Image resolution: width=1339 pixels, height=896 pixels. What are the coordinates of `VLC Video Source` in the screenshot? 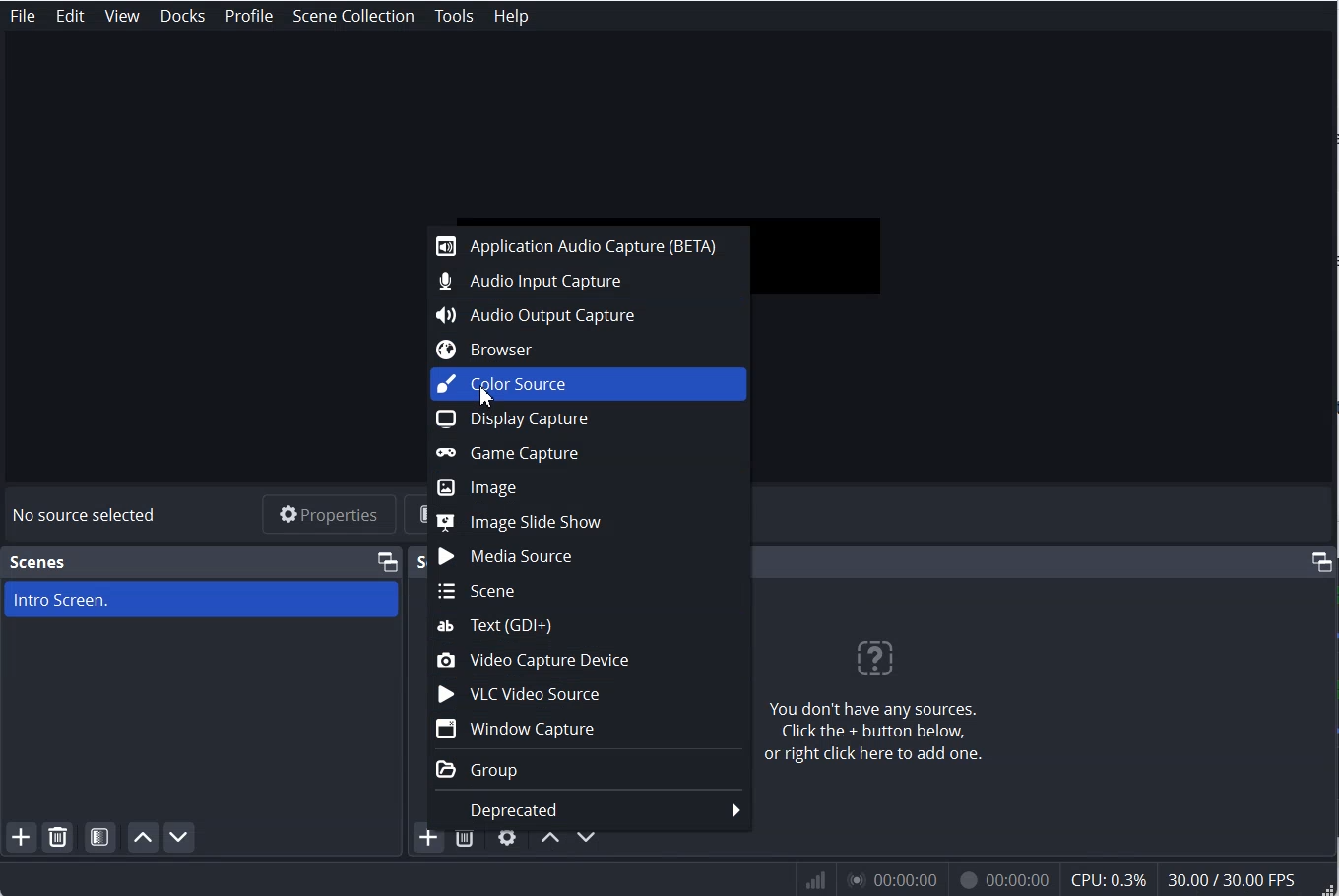 It's located at (589, 694).